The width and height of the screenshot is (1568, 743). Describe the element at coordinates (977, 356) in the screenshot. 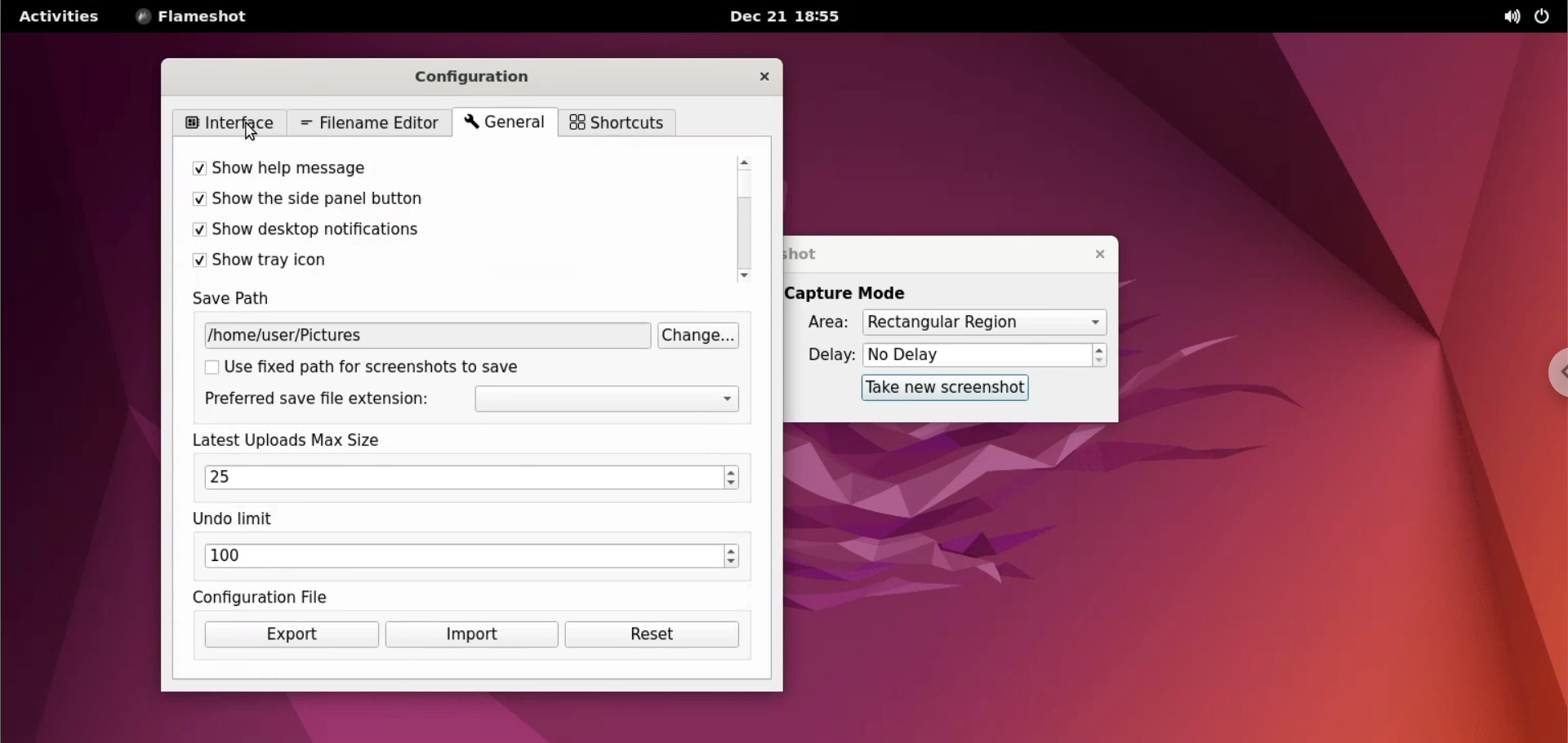

I see `No Delay` at that location.